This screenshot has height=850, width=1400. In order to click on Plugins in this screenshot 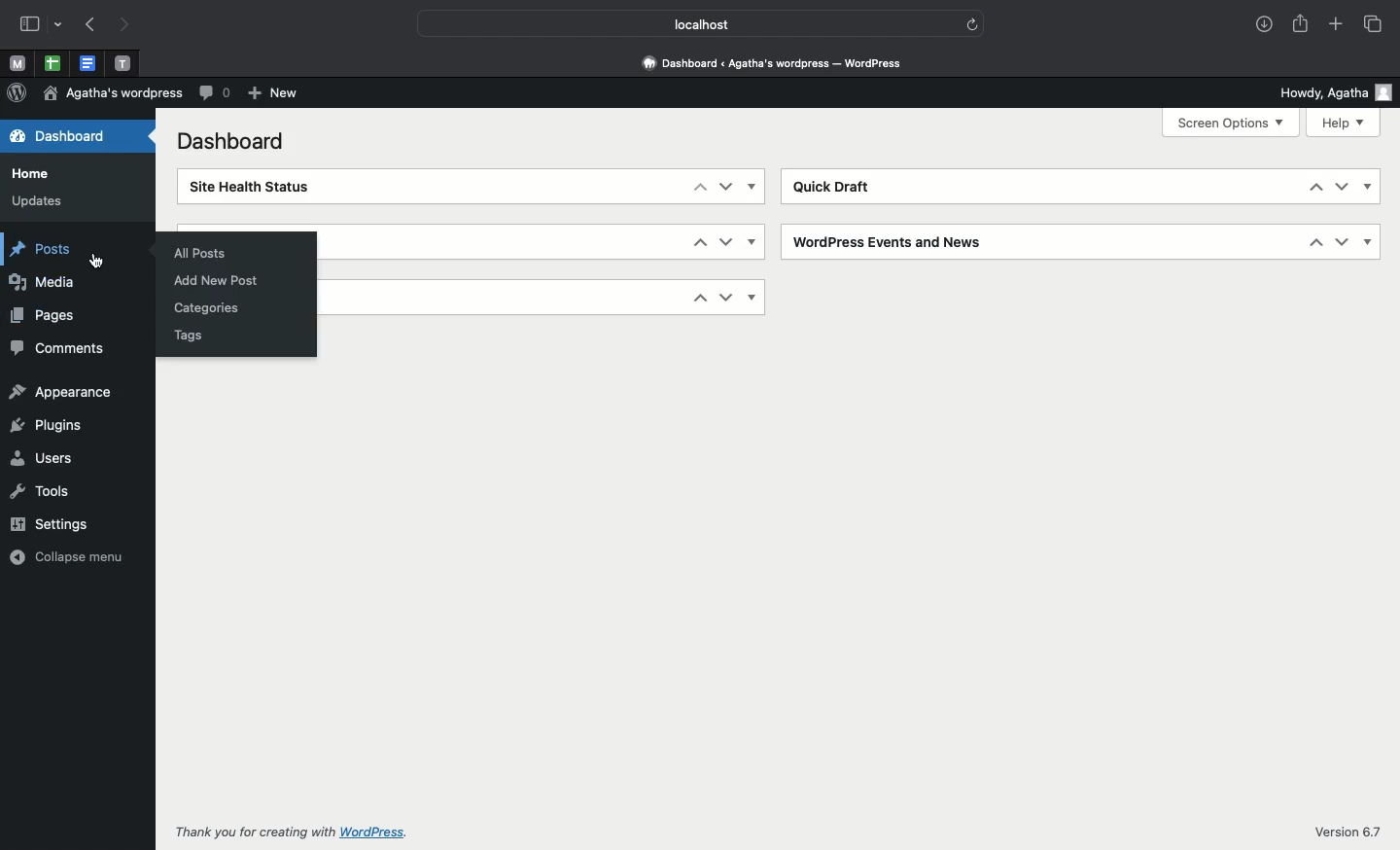, I will do `click(47, 421)`.